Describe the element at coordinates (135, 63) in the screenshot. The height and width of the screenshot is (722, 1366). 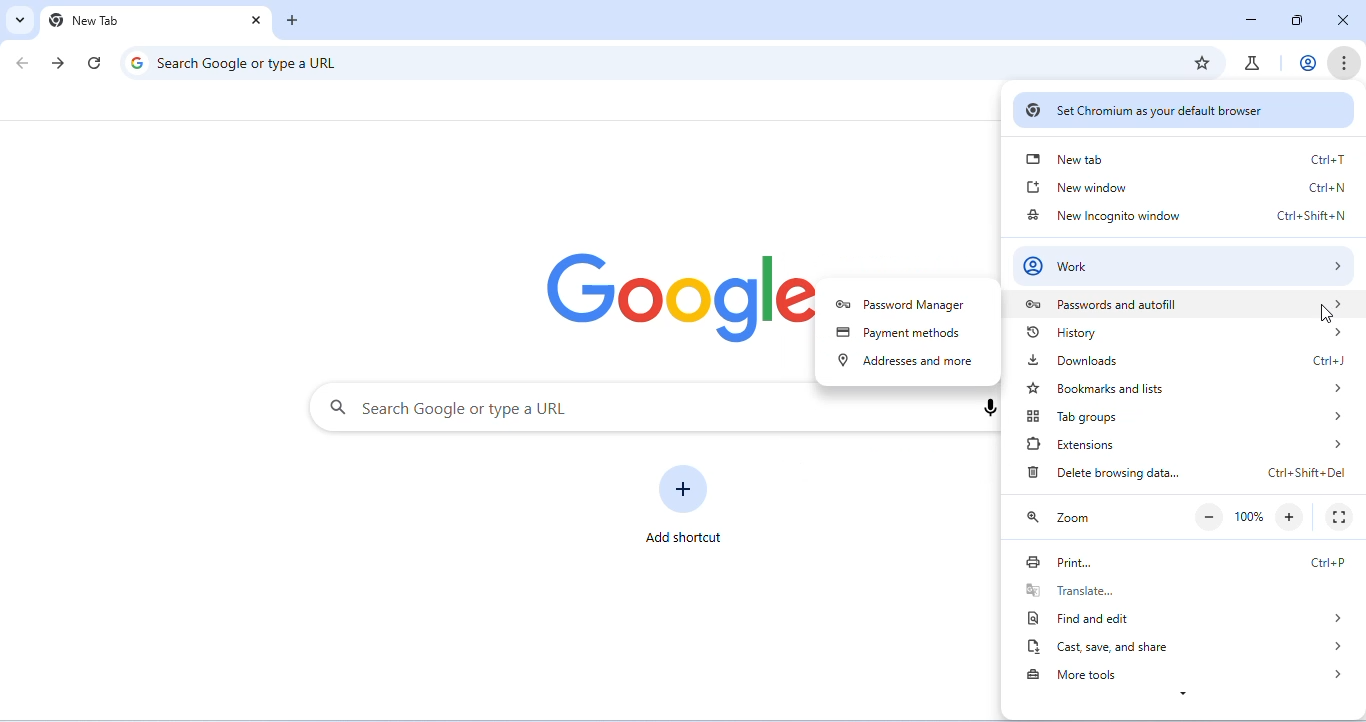
I see `google logo` at that location.